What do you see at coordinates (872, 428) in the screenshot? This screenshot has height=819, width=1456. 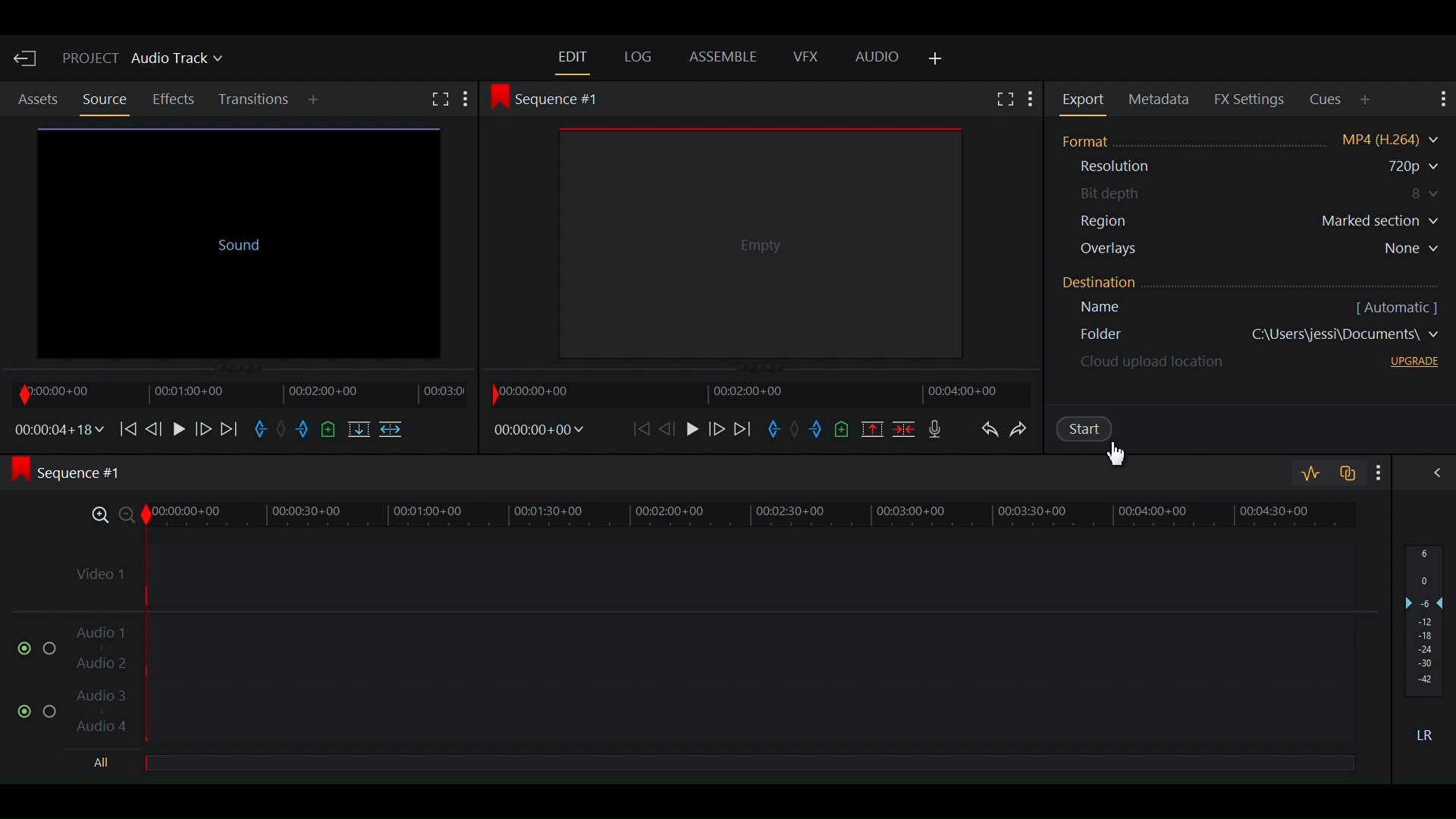 I see `Remove all marked sections` at bounding box center [872, 428].